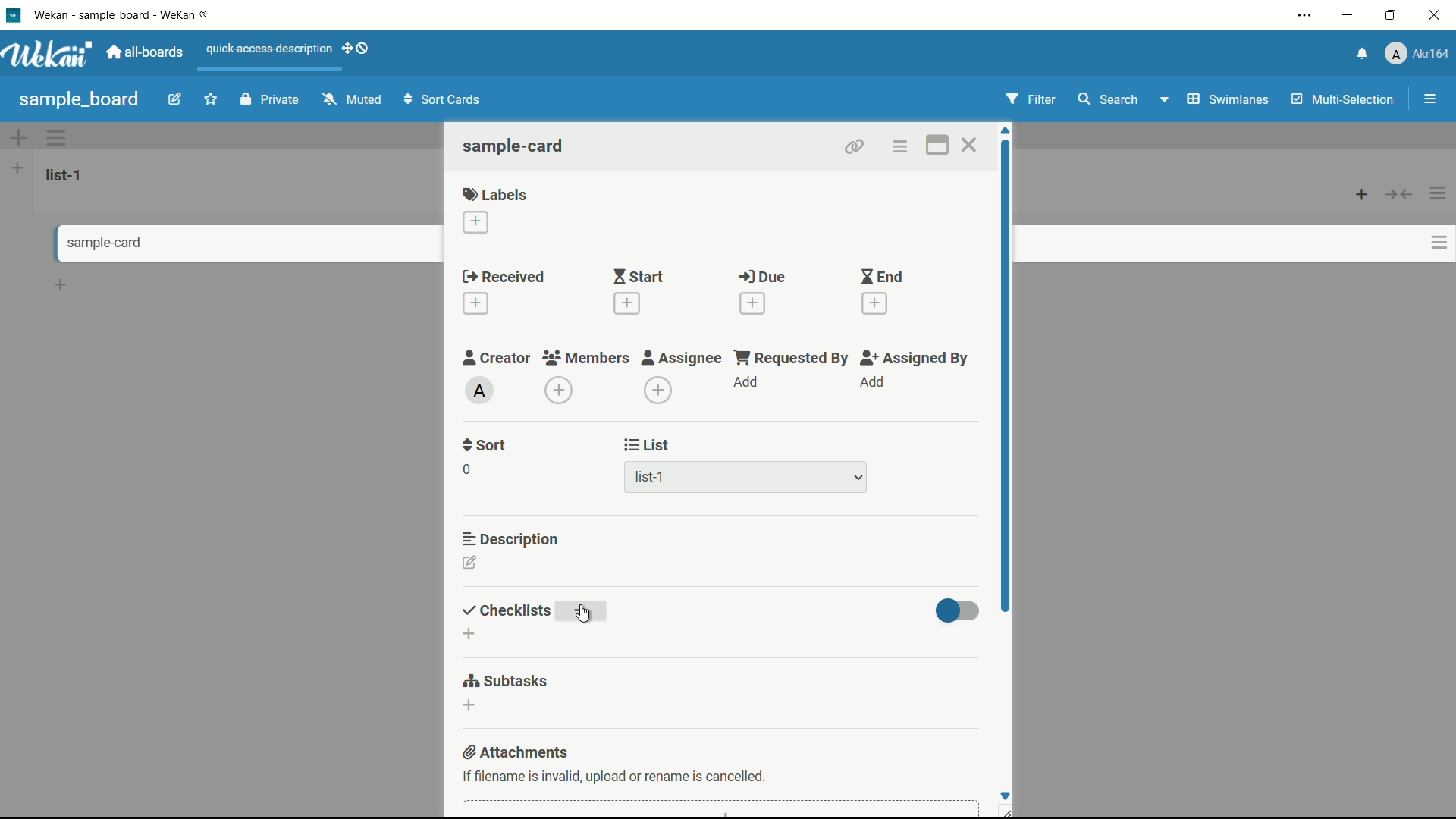  I want to click on swimlane actions, so click(58, 137).